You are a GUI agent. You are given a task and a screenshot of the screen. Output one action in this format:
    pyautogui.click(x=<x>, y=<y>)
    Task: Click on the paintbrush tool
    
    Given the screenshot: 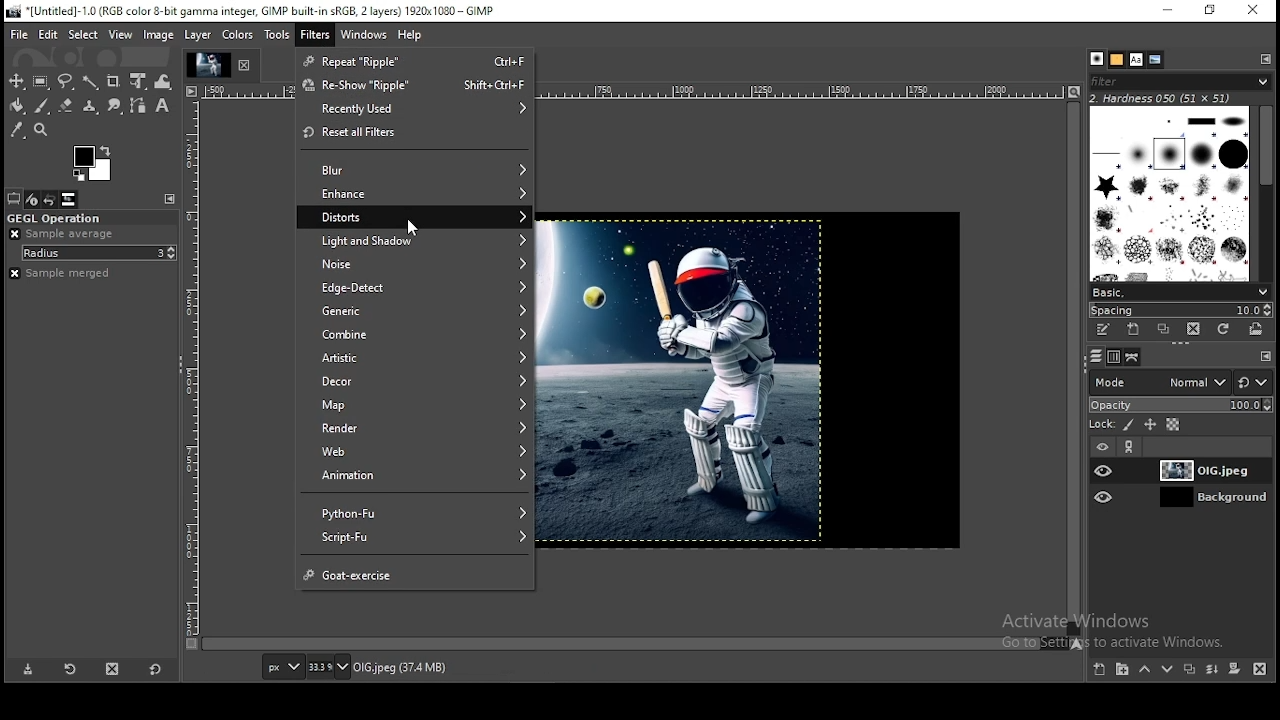 What is the action you would take?
    pyautogui.click(x=42, y=106)
    